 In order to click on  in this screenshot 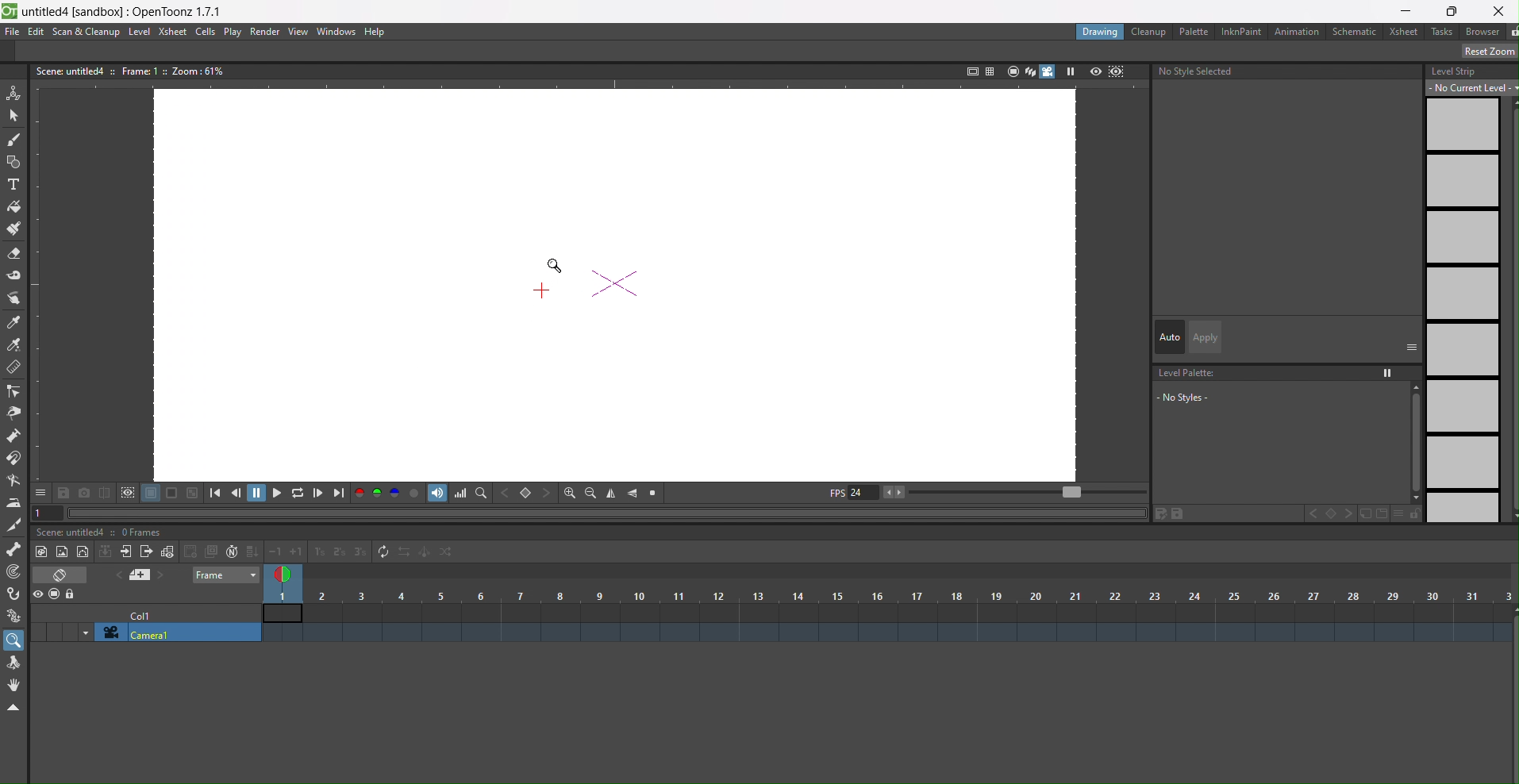, I will do `click(16, 345)`.